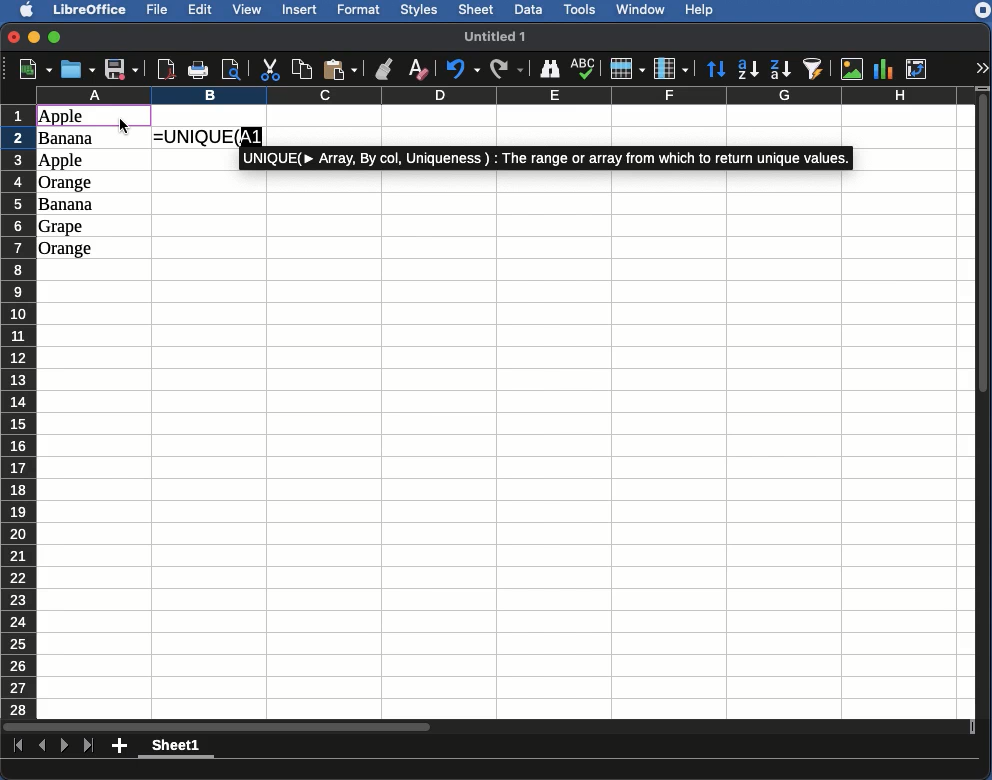 The width and height of the screenshot is (992, 780). I want to click on Redo, so click(508, 68).